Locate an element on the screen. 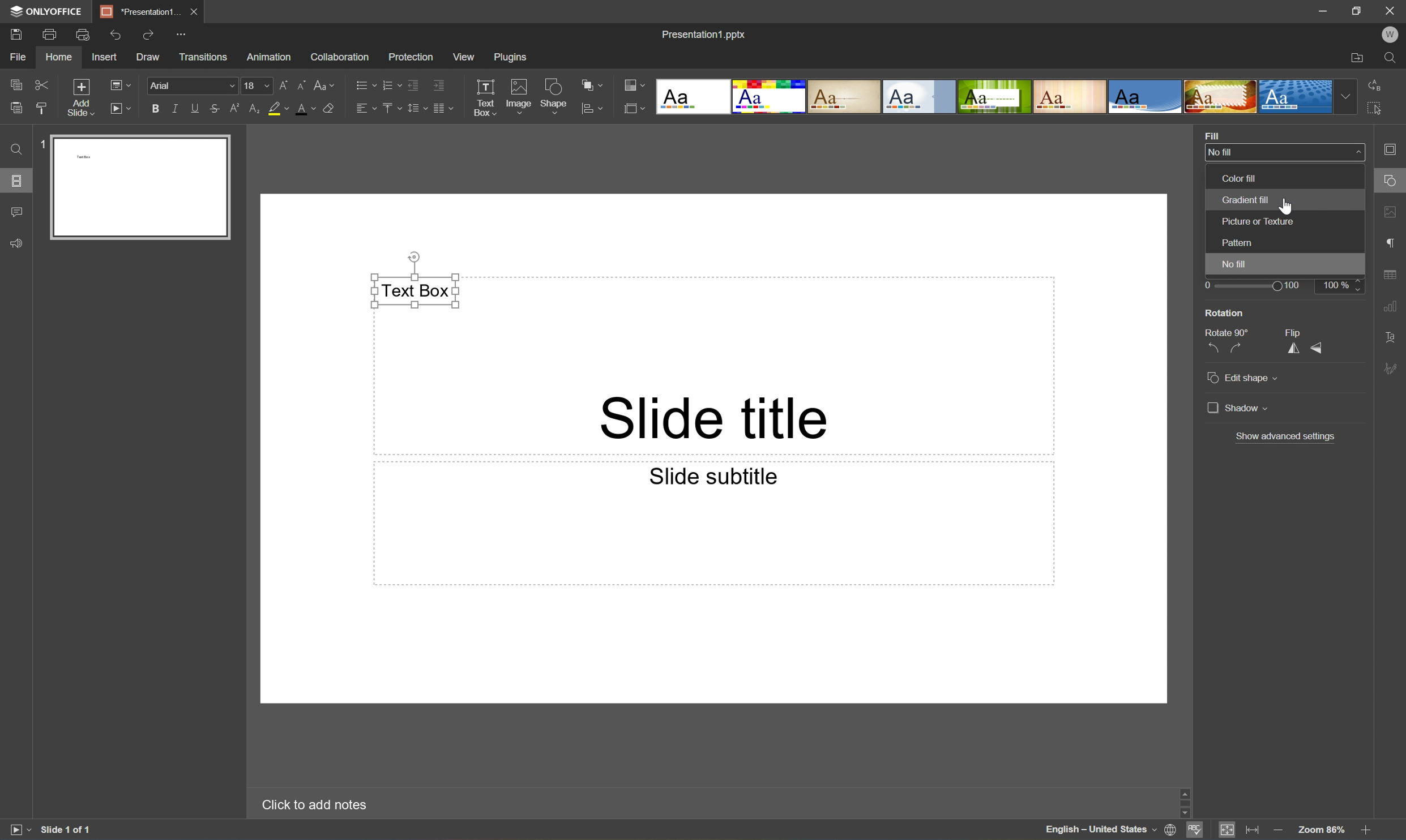 Image resolution: width=1406 pixels, height=840 pixels. Copy style is located at coordinates (42, 109).